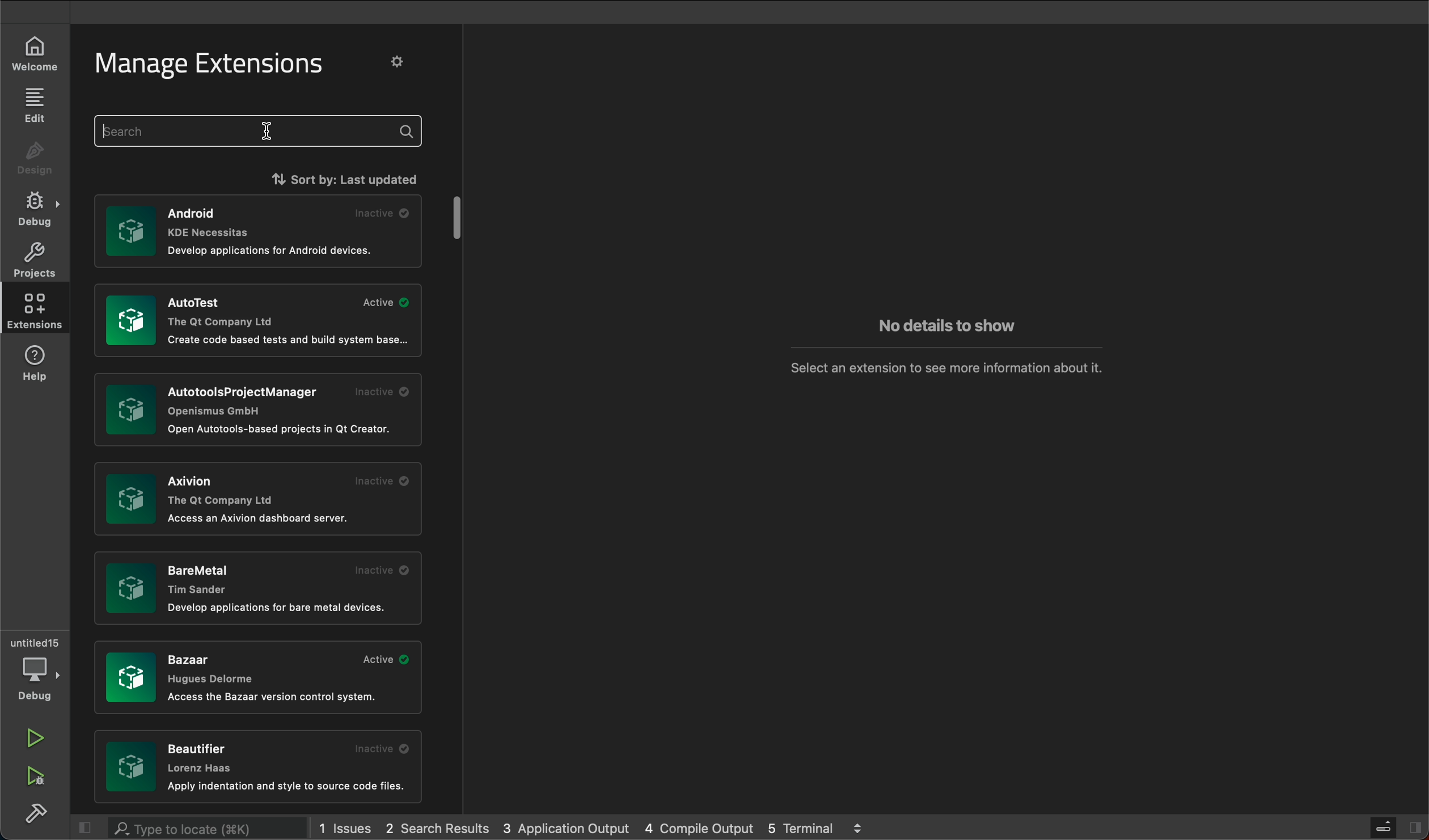  What do you see at coordinates (338, 177) in the screenshot?
I see `sort` at bounding box center [338, 177].